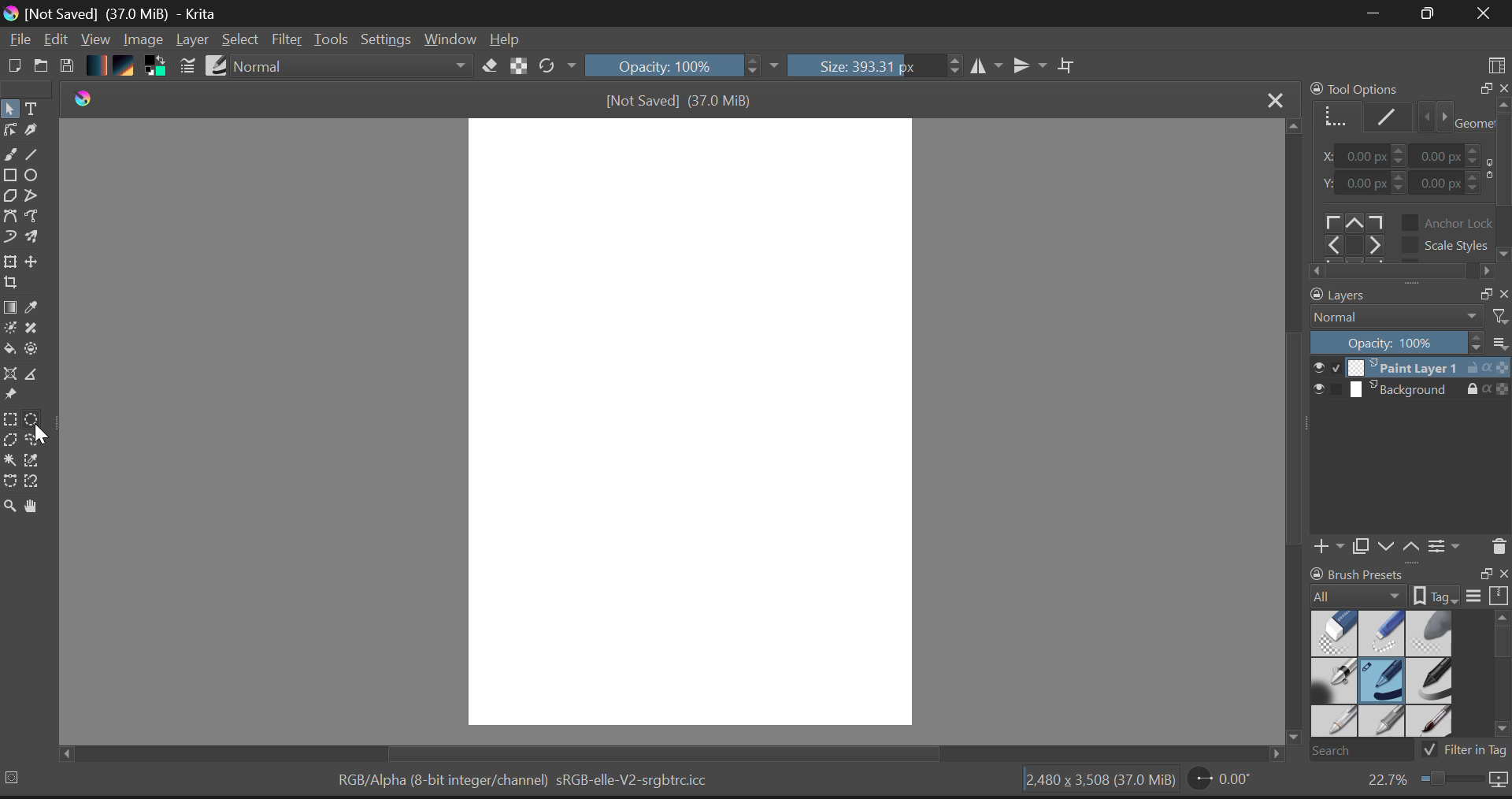  What do you see at coordinates (37, 157) in the screenshot?
I see `Line` at bounding box center [37, 157].